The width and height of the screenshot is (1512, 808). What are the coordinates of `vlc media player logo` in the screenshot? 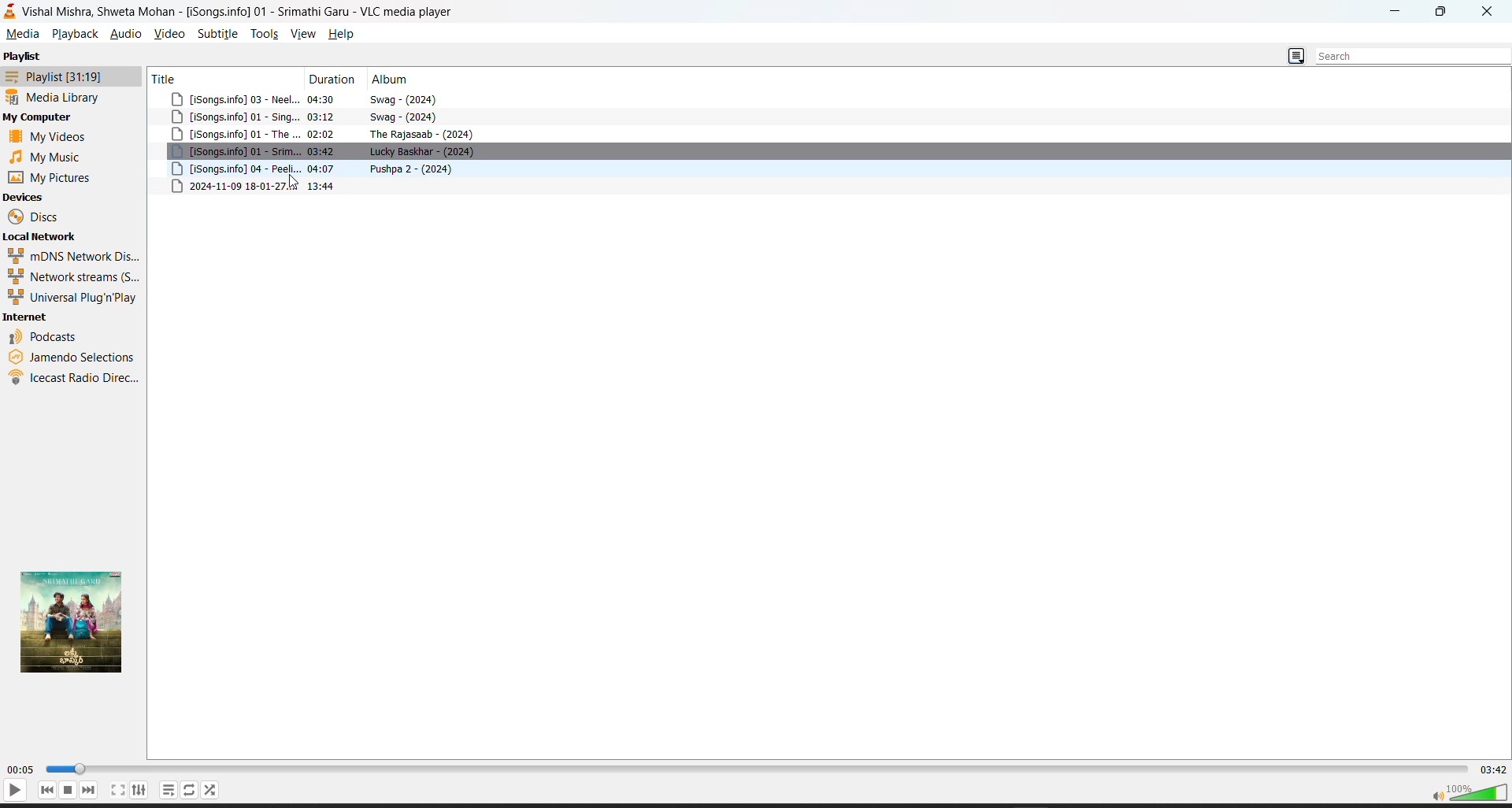 It's located at (9, 10).